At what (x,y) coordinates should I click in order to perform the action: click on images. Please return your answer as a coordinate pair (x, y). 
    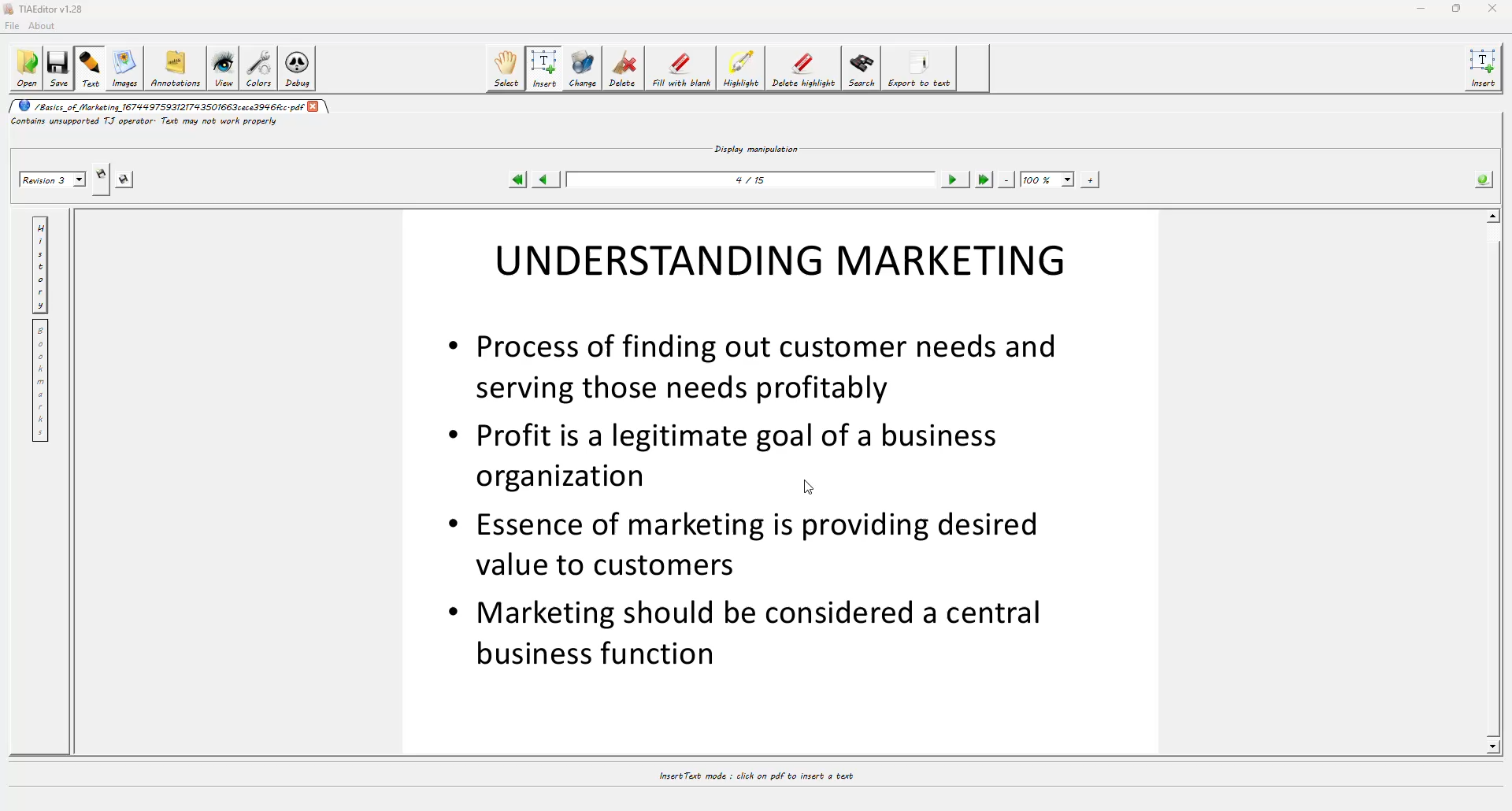
    Looking at the image, I should click on (123, 68).